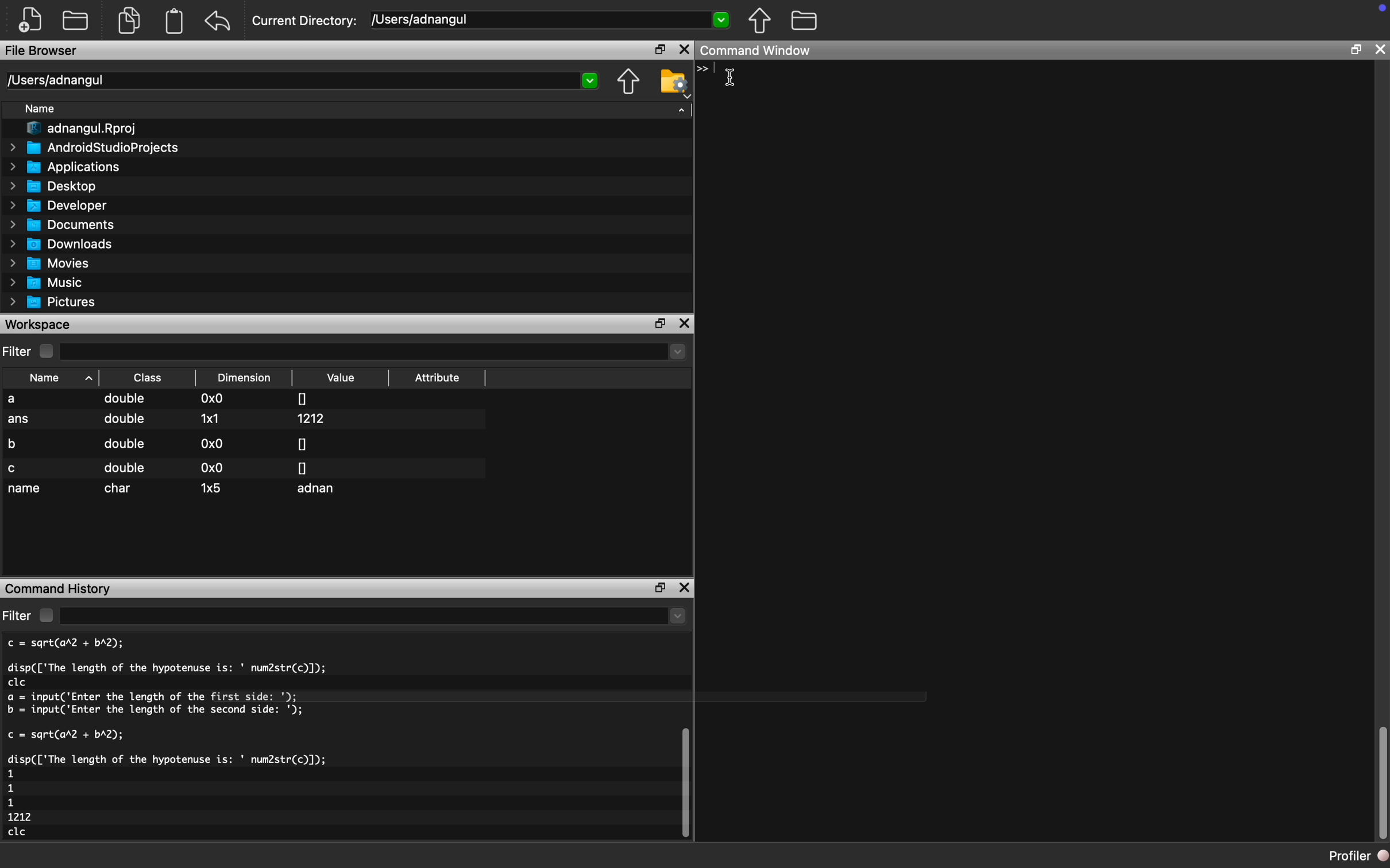  Describe the element at coordinates (248, 378) in the screenshot. I see `Dimension` at that location.